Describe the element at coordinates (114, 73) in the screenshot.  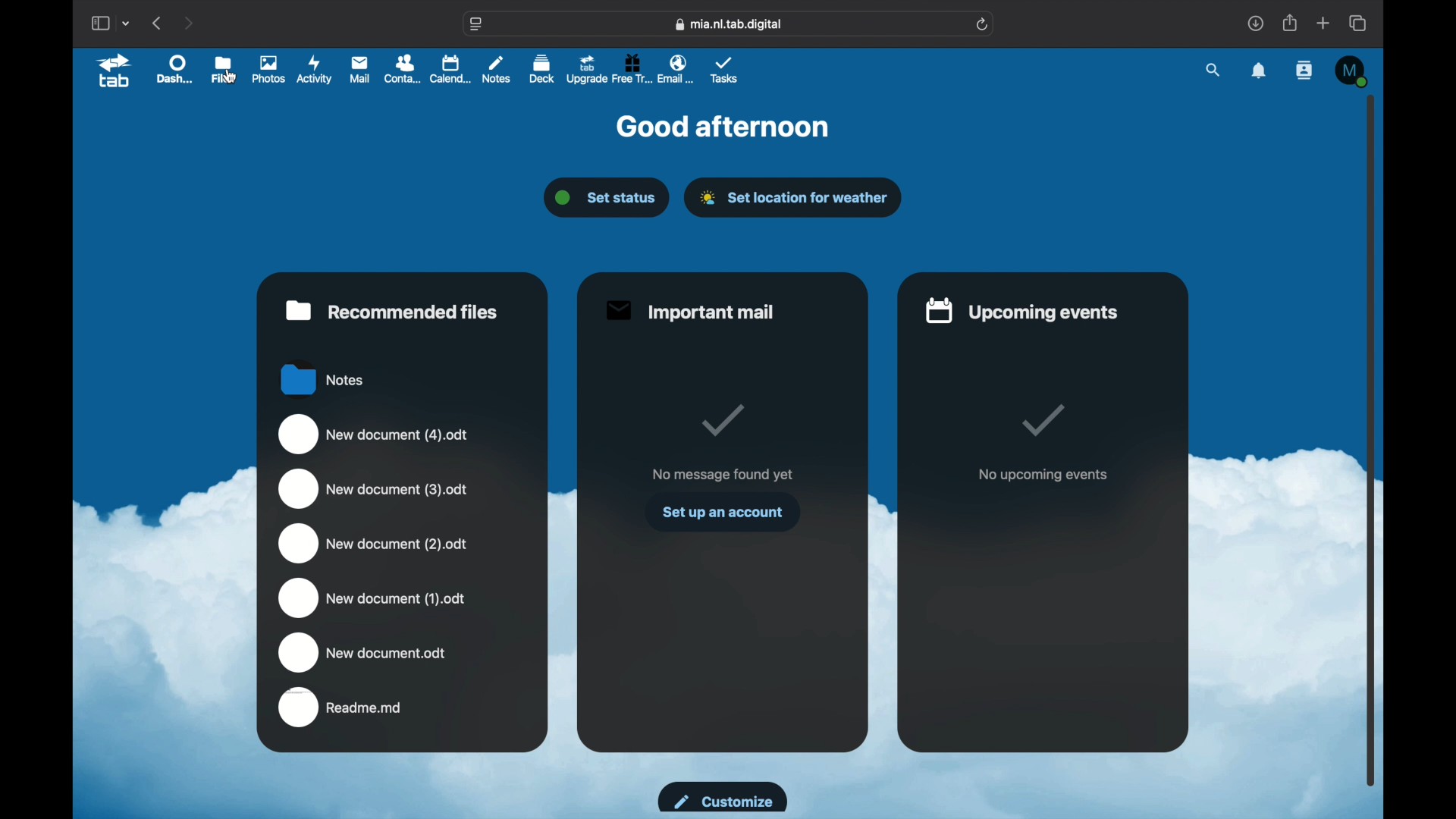
I see `tab` at that location.